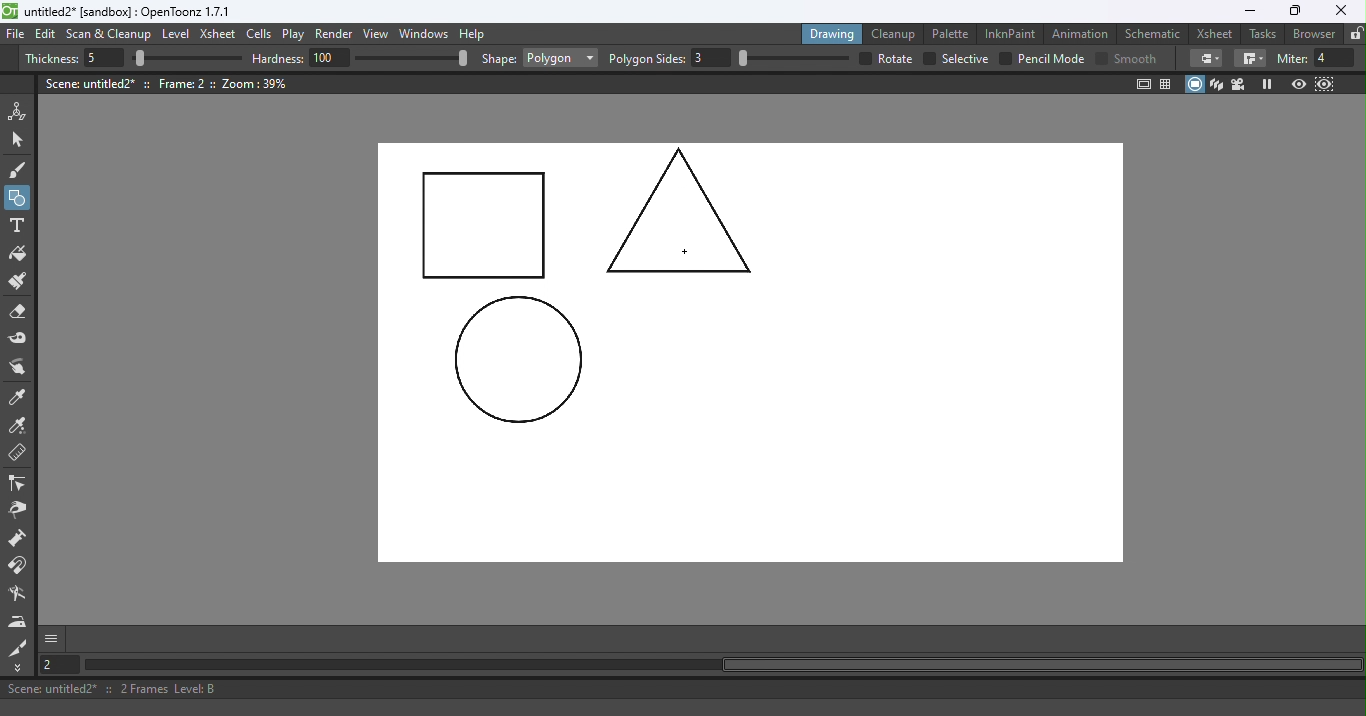  I want to click on Edit, so click(48, 34).